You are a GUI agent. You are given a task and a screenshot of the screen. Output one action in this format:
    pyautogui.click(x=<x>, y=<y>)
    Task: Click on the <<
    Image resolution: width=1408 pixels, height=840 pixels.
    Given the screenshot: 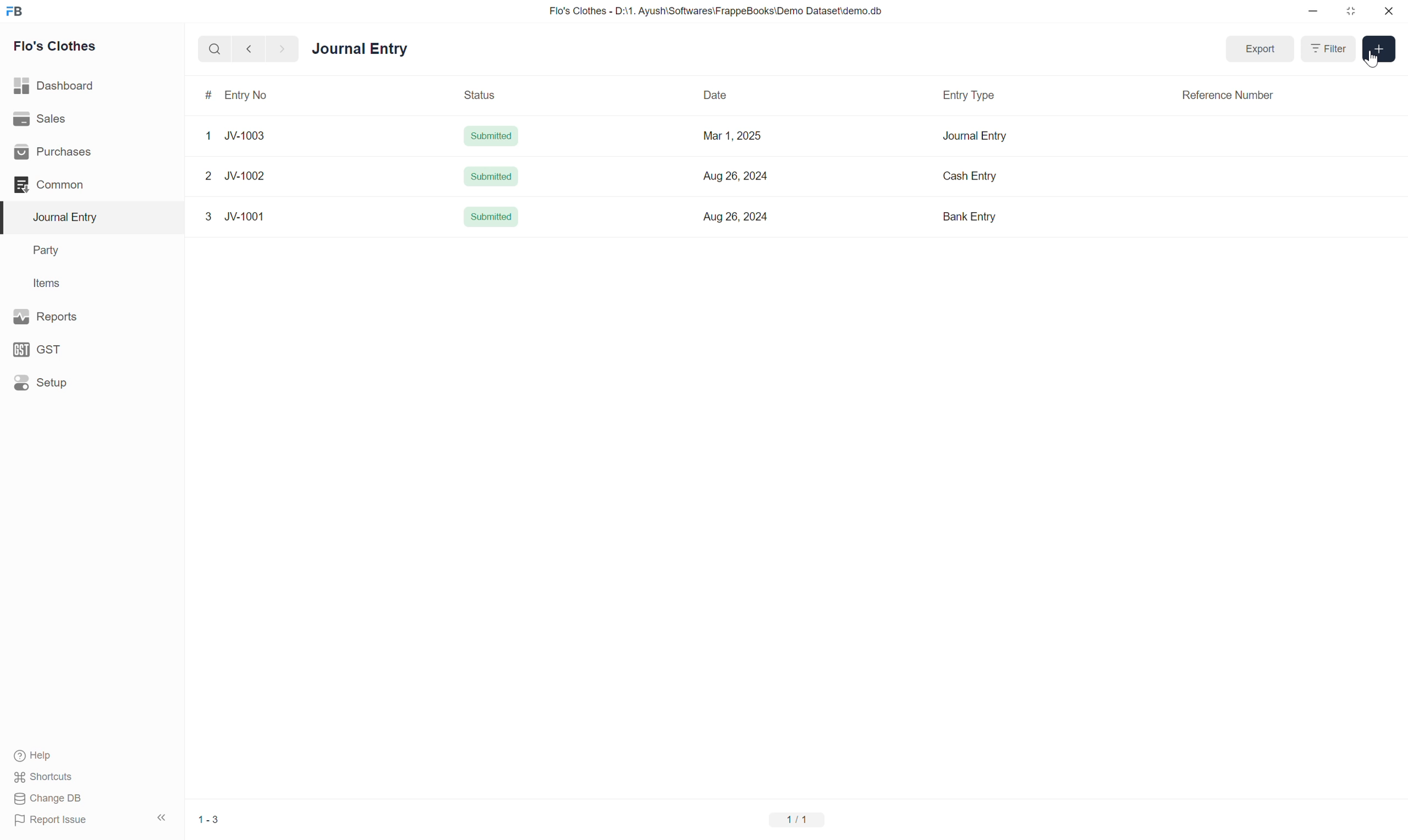 What is the action you would take?
    pyautogui.click(x=161, y=818)
    